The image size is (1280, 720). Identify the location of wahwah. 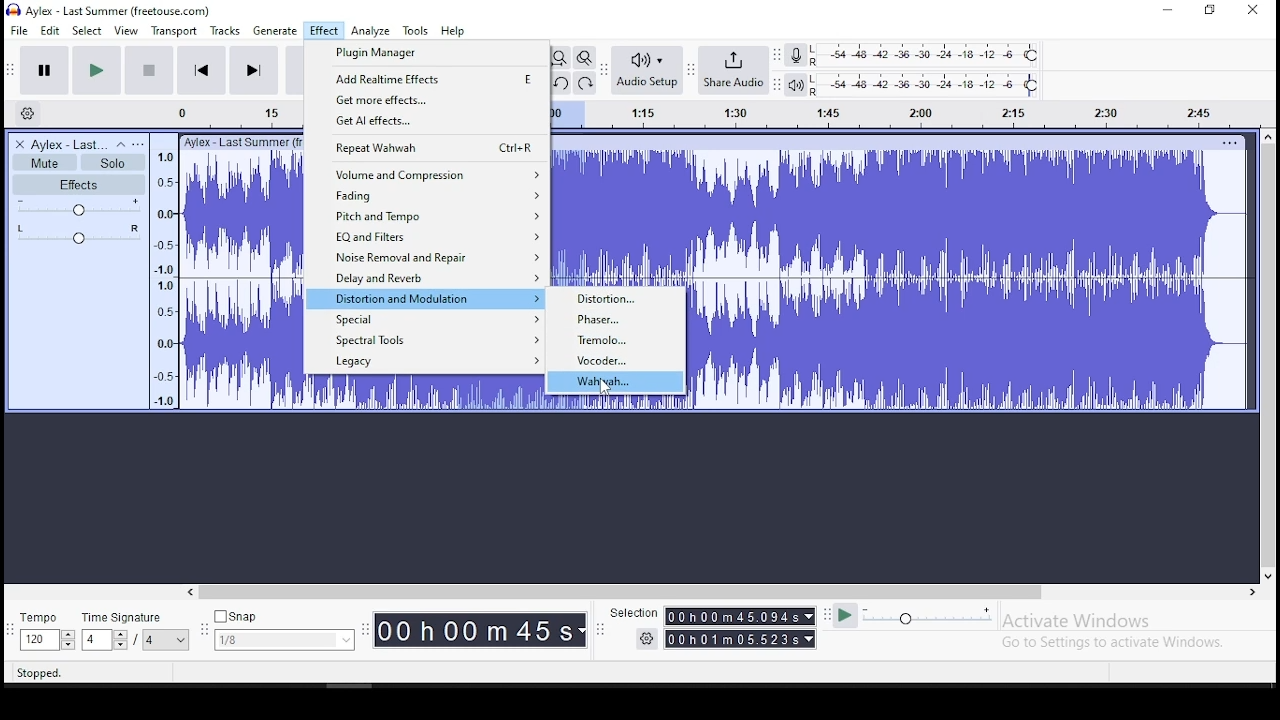
(616, 382).